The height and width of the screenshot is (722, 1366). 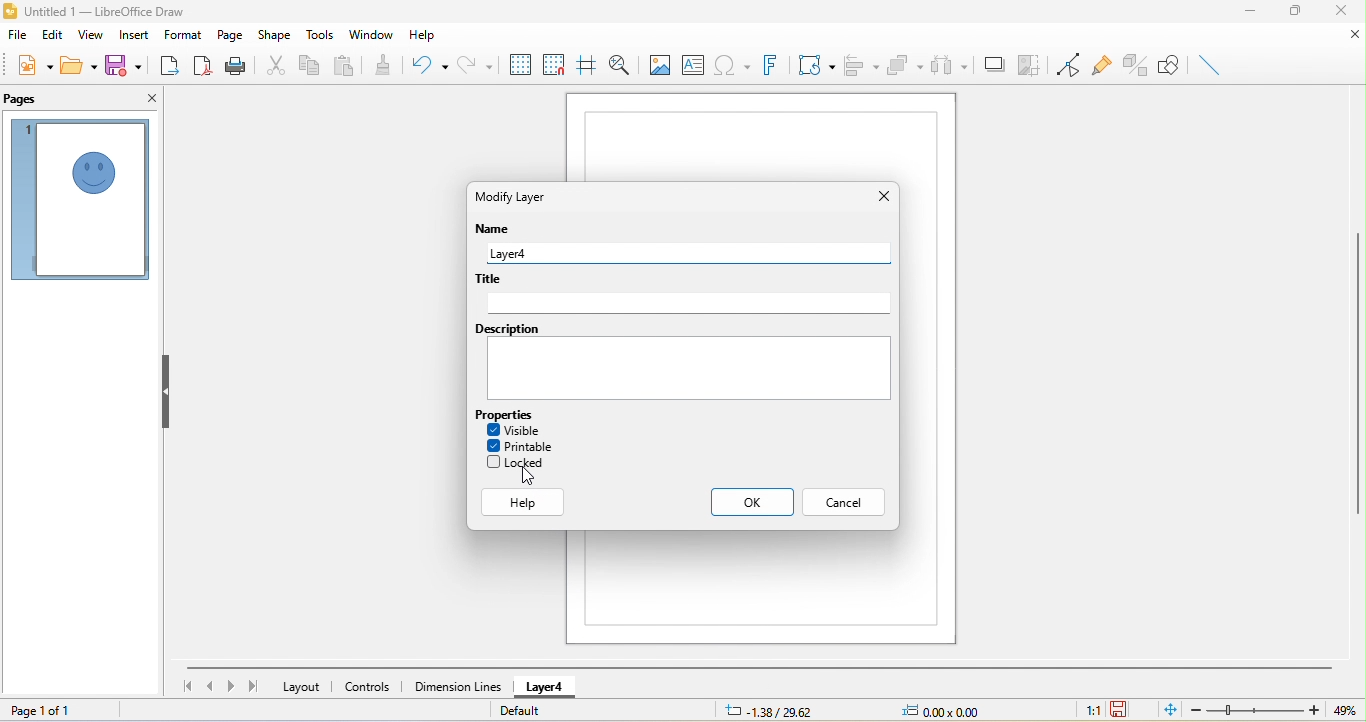 What do you see at coordinates (346, 67) in the screenshot?
I see `paste` at bounding box center [346, 67].